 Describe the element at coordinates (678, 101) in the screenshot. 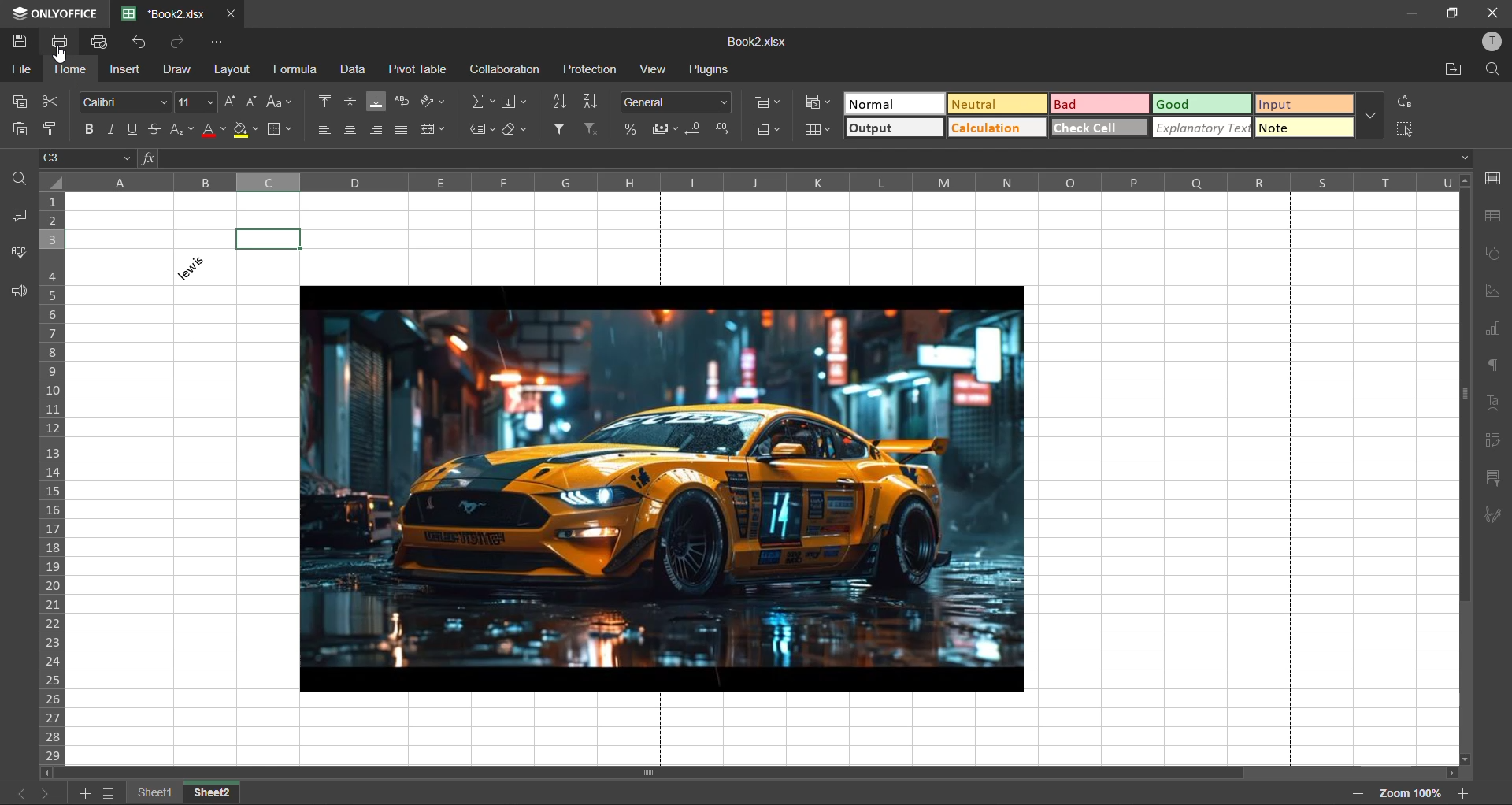

I see `number format` at that location.